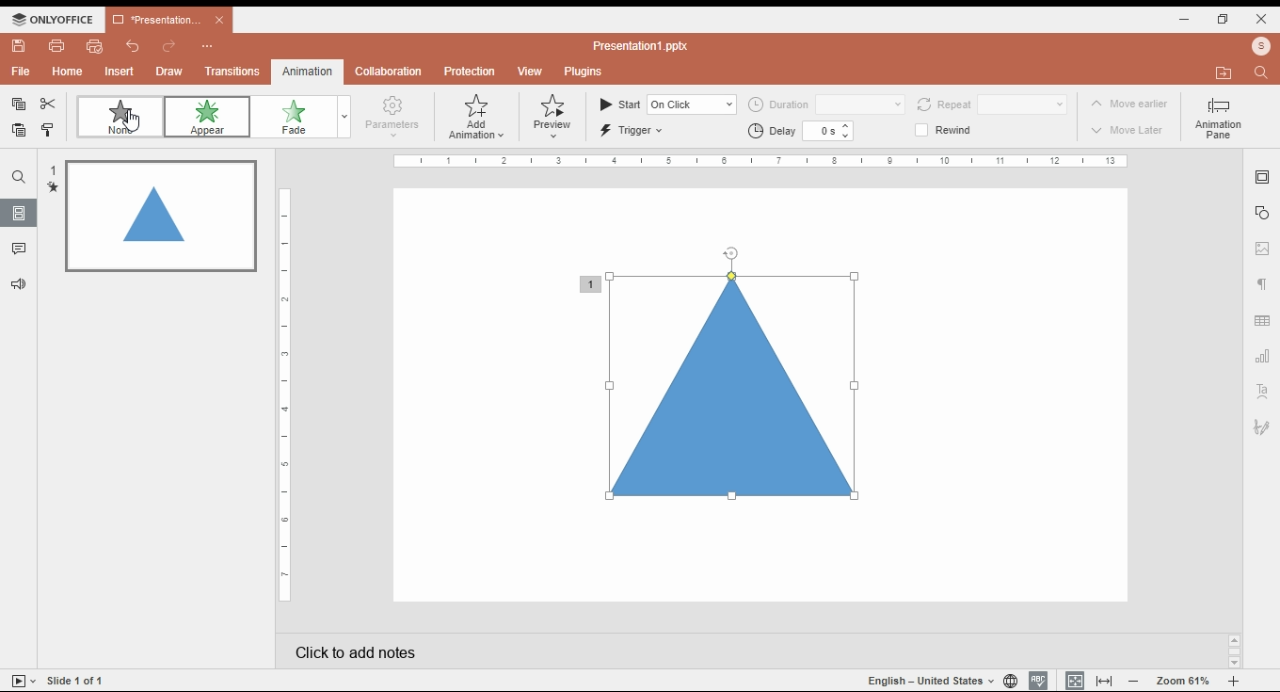  I want to click on animation: none, so click(120, 116).